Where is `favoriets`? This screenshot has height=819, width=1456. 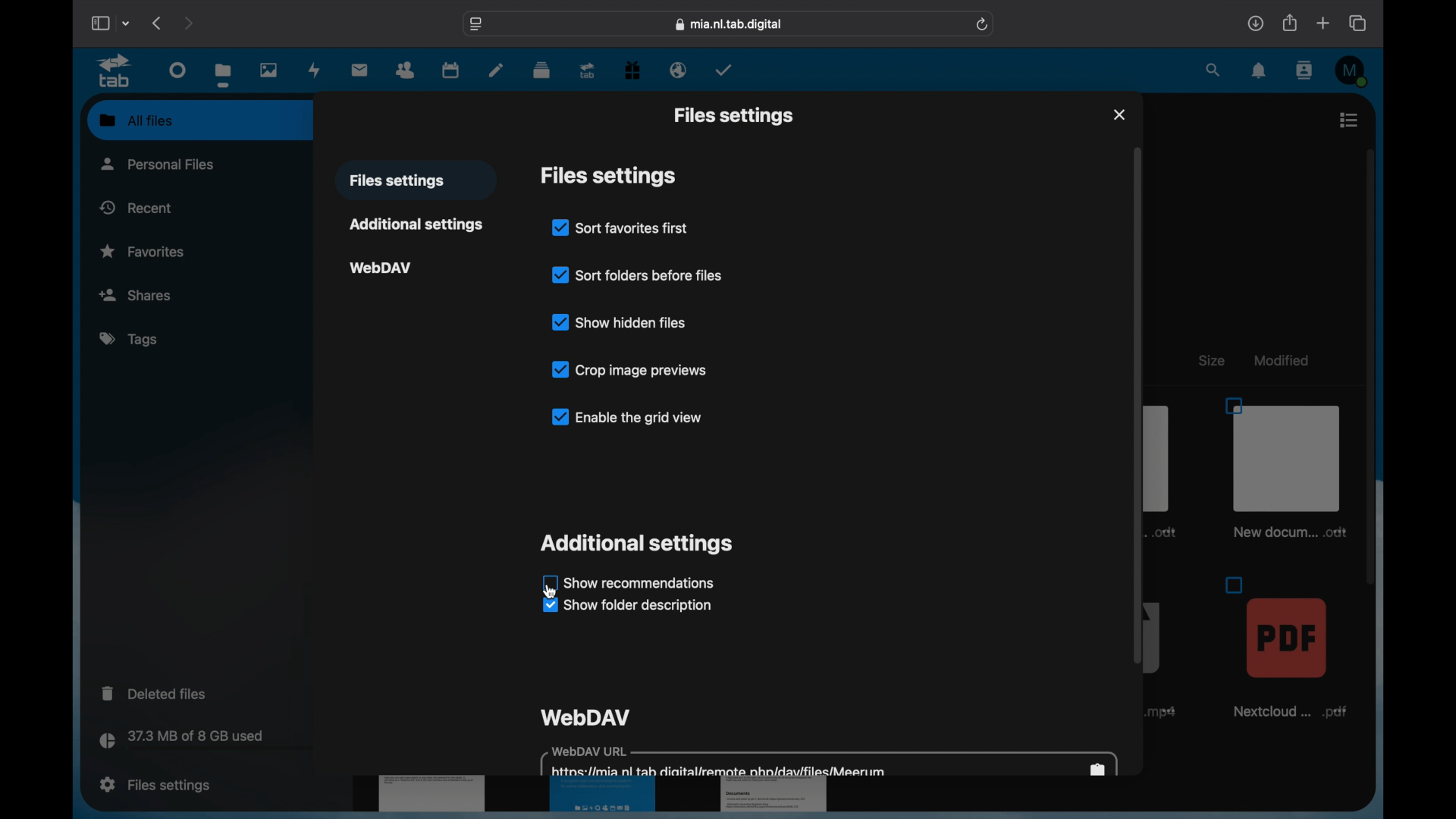
favoriets is located at coordinates (144, 250).